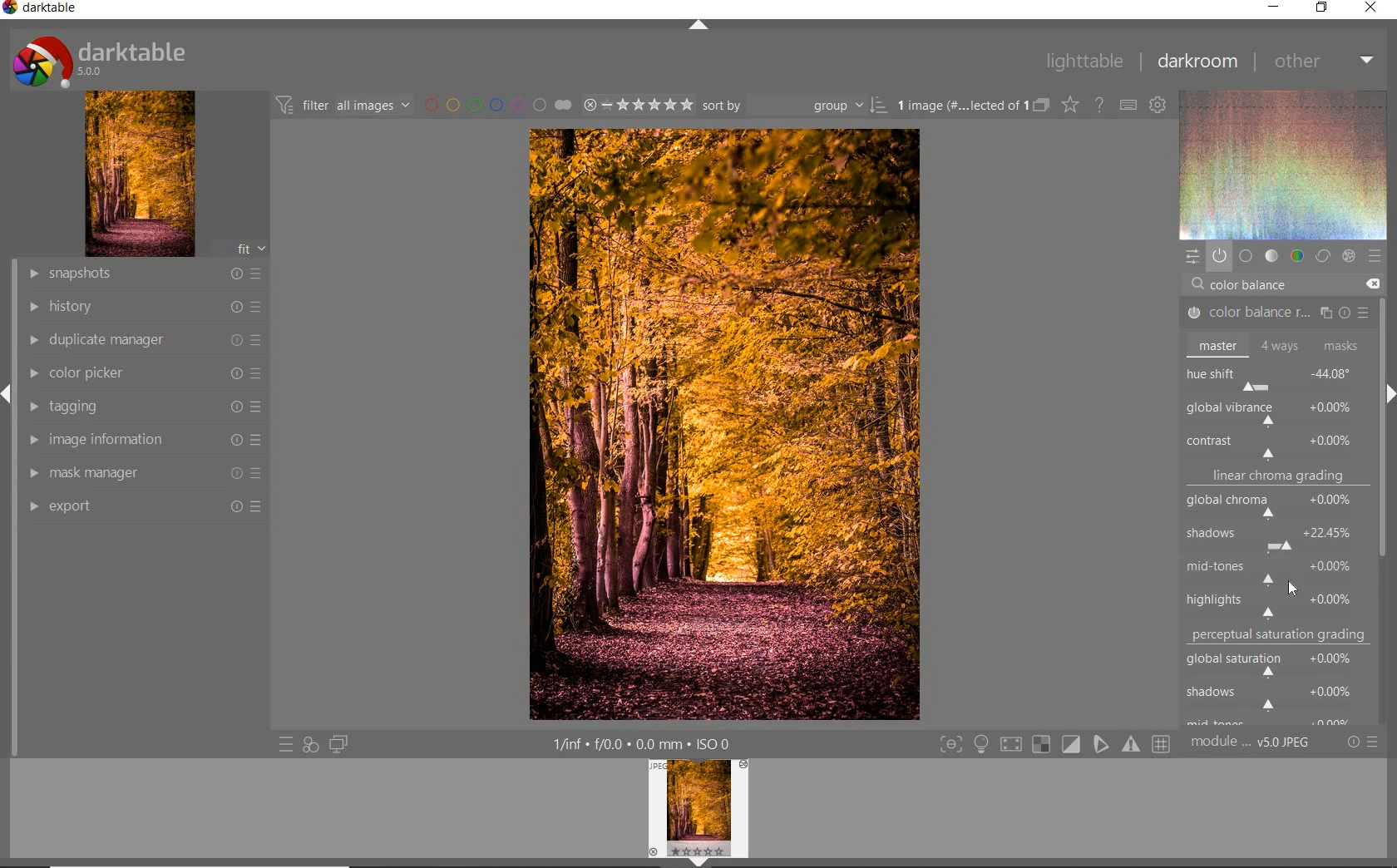 The width and height of the screenshot is (1397, 868). I want to click on system name, so click(40, 8).